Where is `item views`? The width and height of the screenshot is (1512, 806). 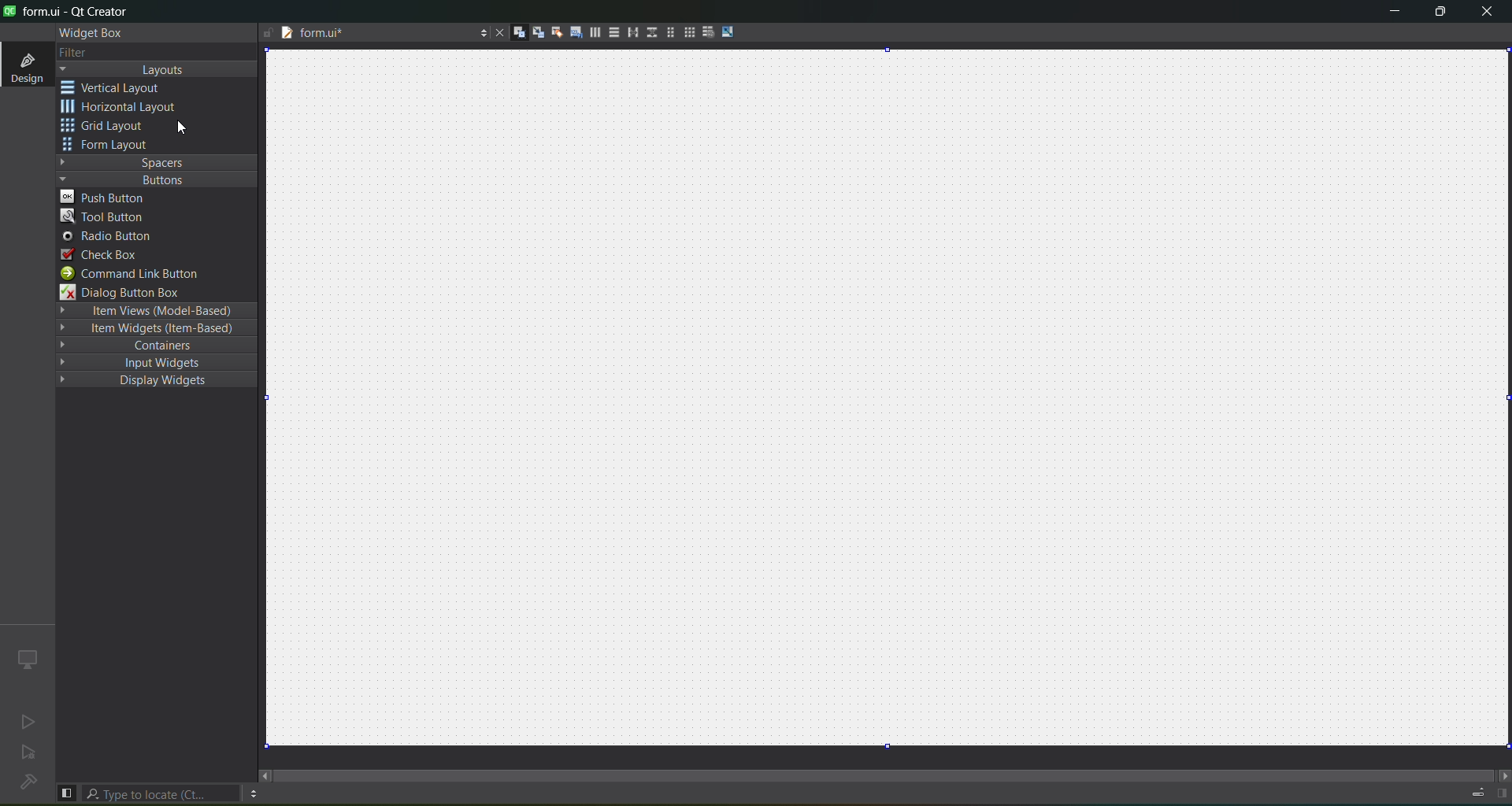
item views is located at coordinates (154, 310).